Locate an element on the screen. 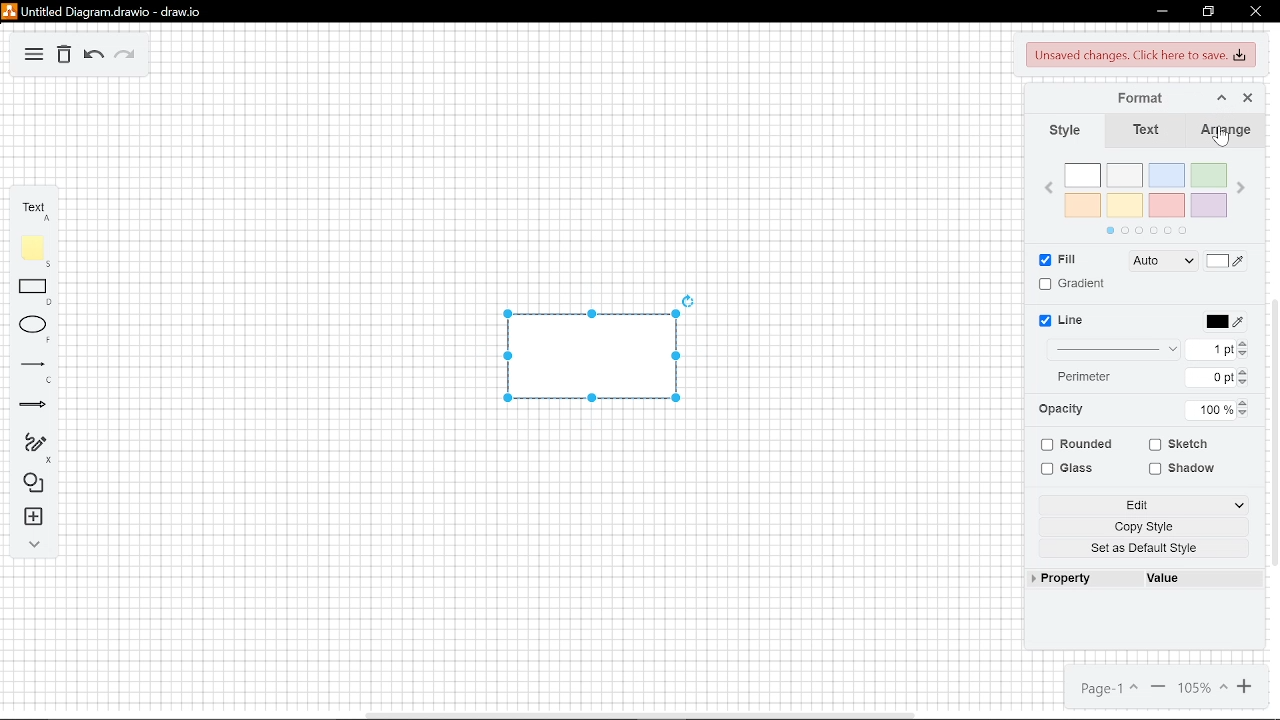  previous is located at coordinates (1048, 189).